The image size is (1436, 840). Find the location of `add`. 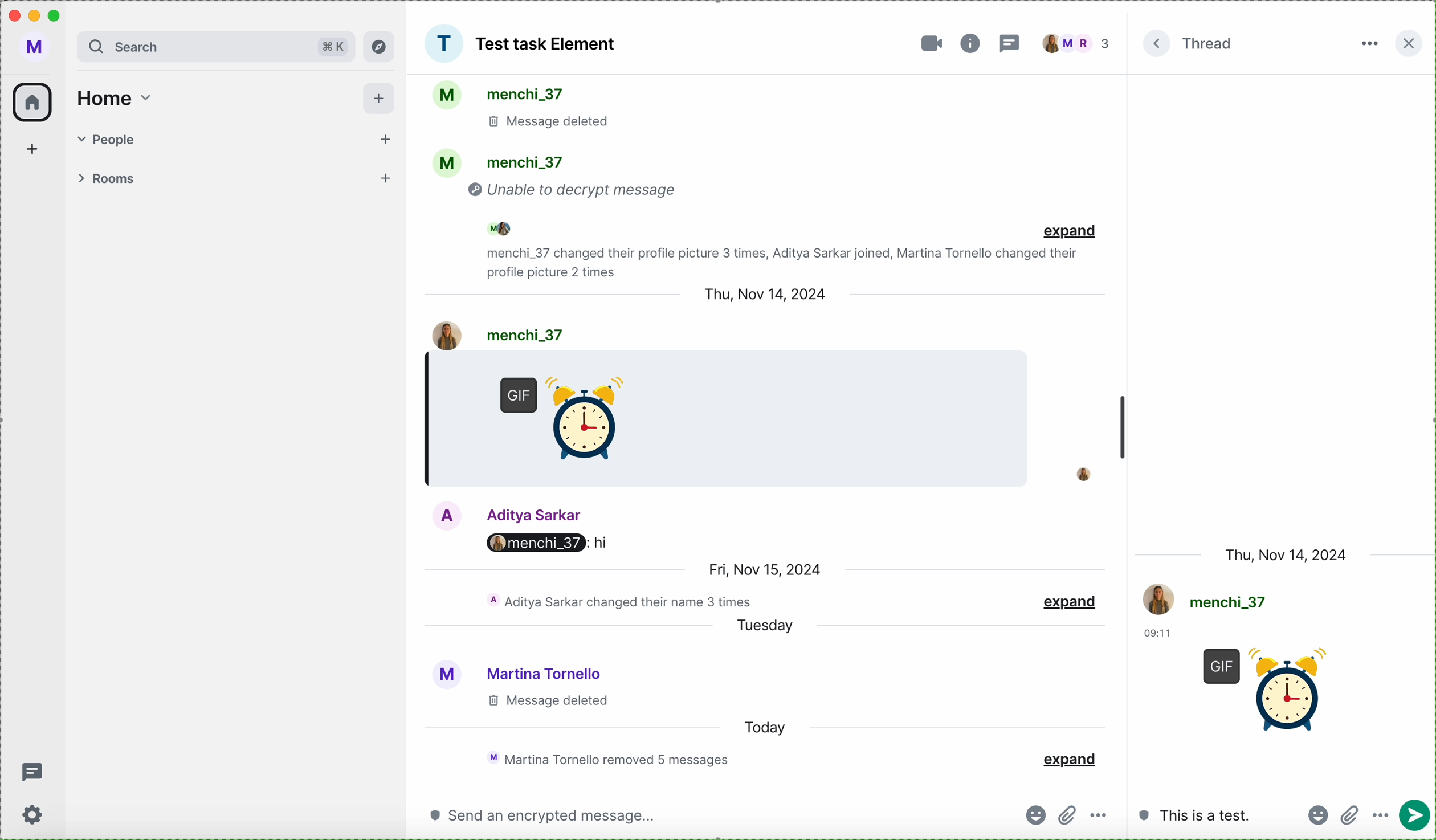

add is located at coordinates (380, 99).